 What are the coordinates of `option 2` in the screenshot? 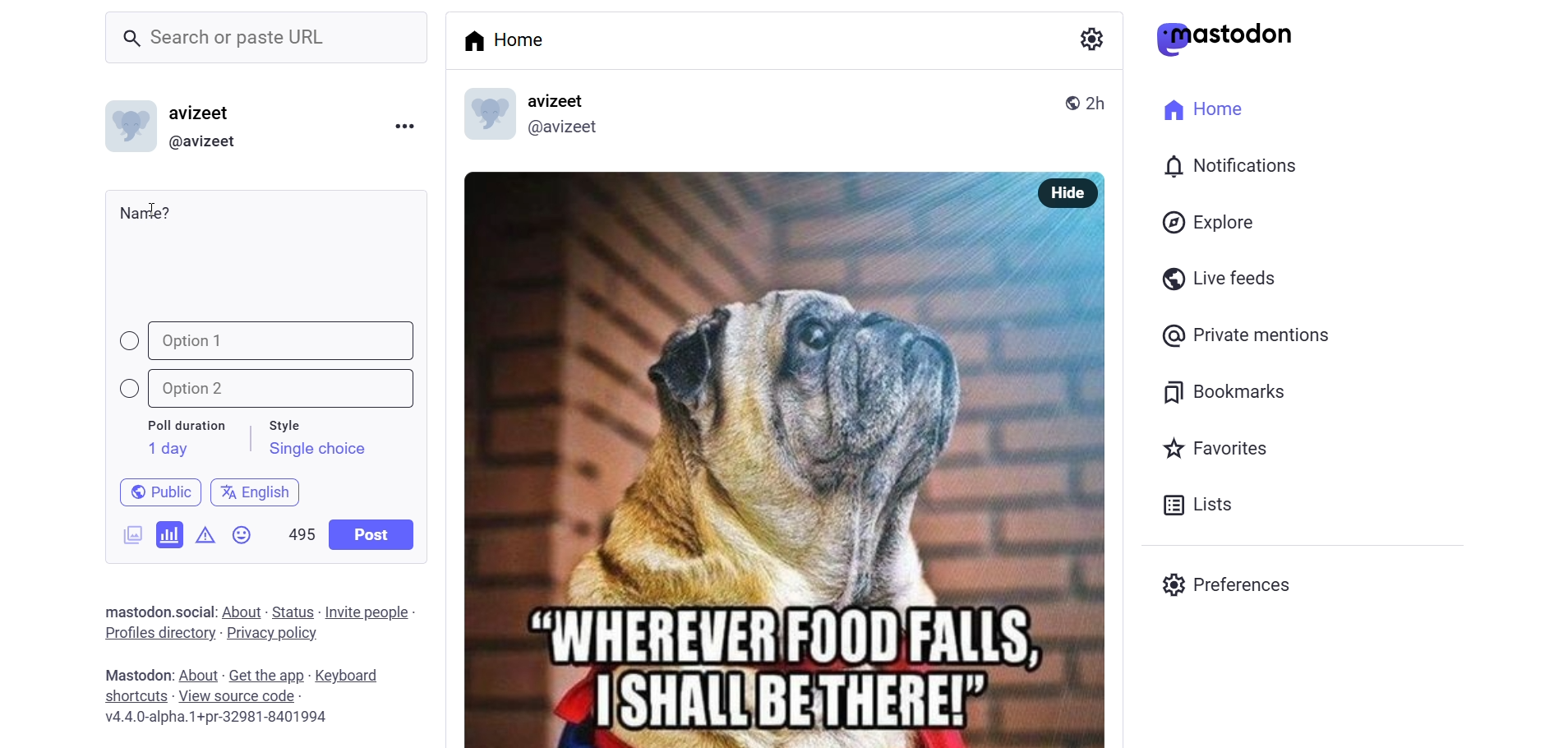 It's located at (275, 389).